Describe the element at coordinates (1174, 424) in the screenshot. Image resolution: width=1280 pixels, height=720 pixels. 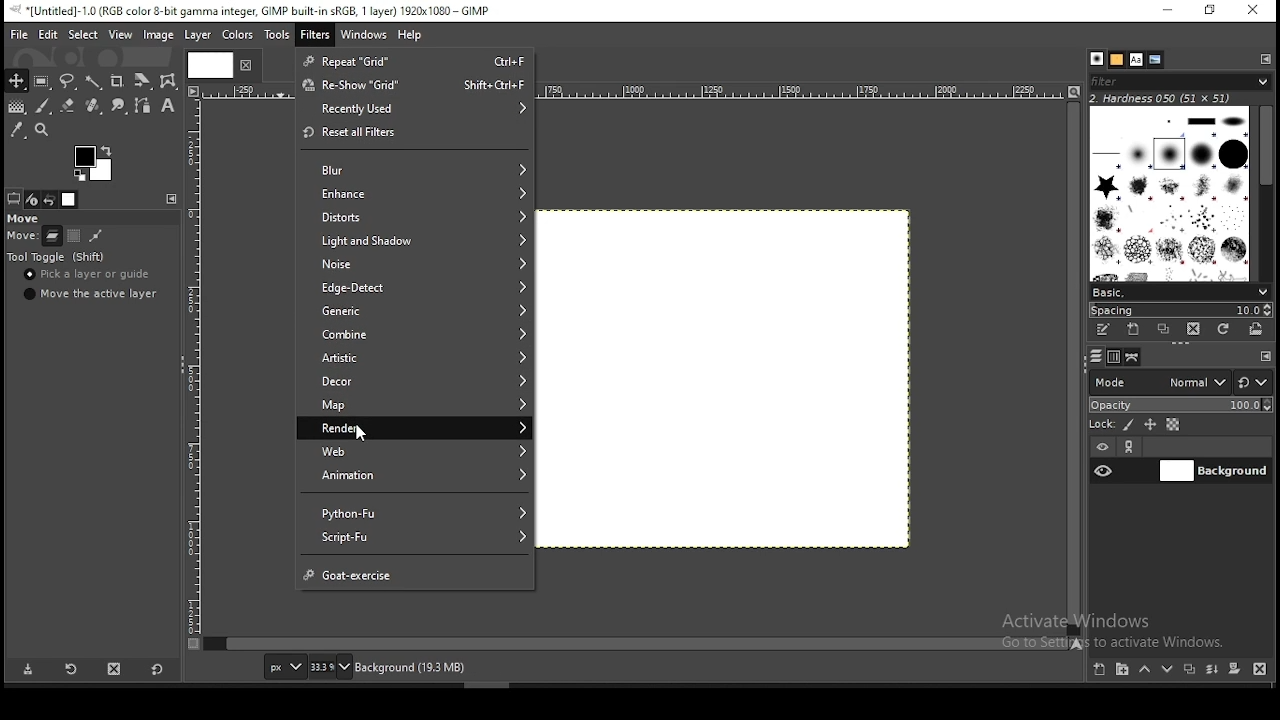
I see `lock alpha channel` at that location.